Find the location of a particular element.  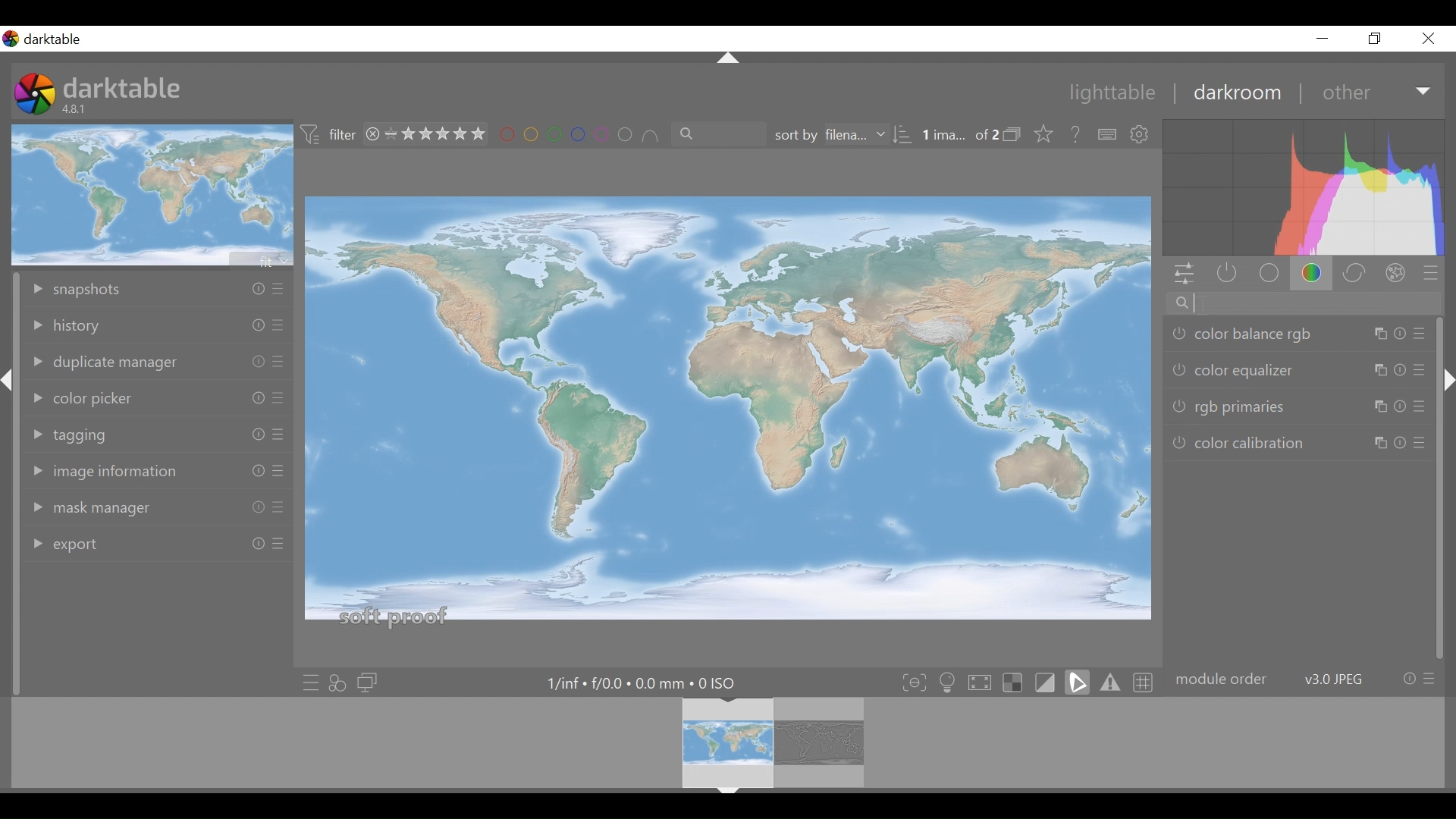

module order is located at coordinates (1307, 681).